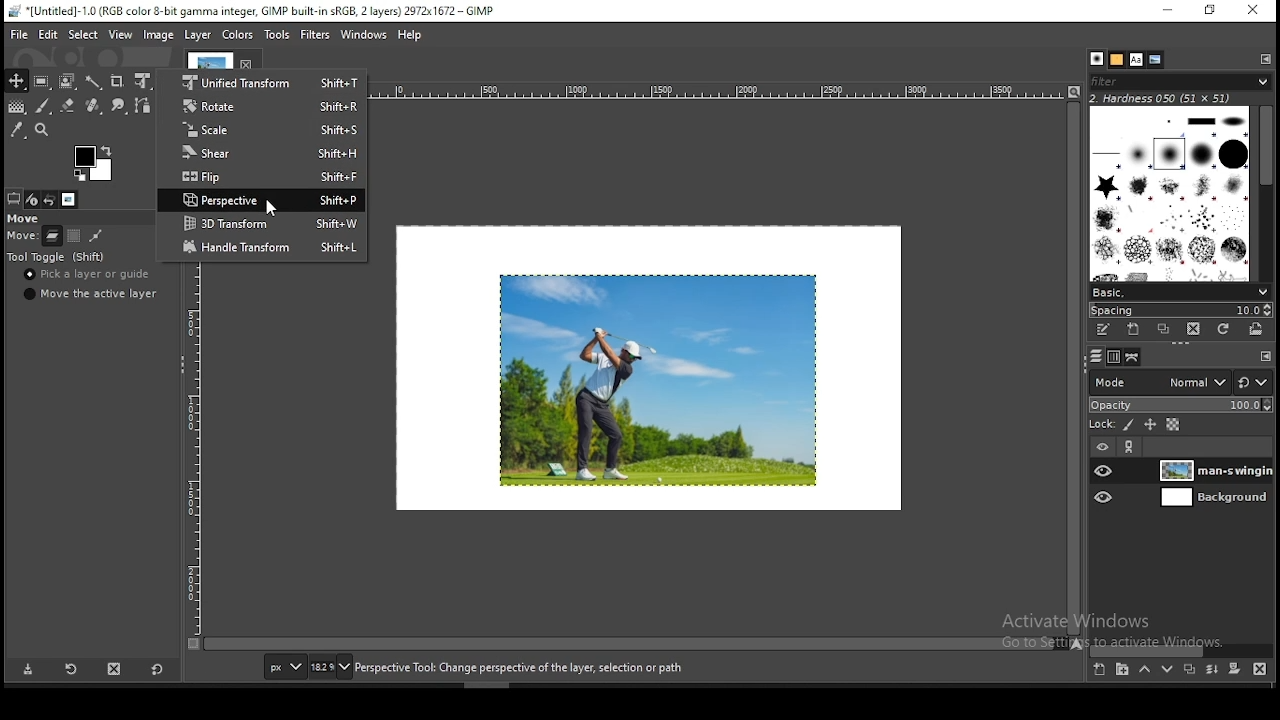  What do you see at coordinates (26, 218) in the screenshot?
I see `move` at bounding box center [26, 218].